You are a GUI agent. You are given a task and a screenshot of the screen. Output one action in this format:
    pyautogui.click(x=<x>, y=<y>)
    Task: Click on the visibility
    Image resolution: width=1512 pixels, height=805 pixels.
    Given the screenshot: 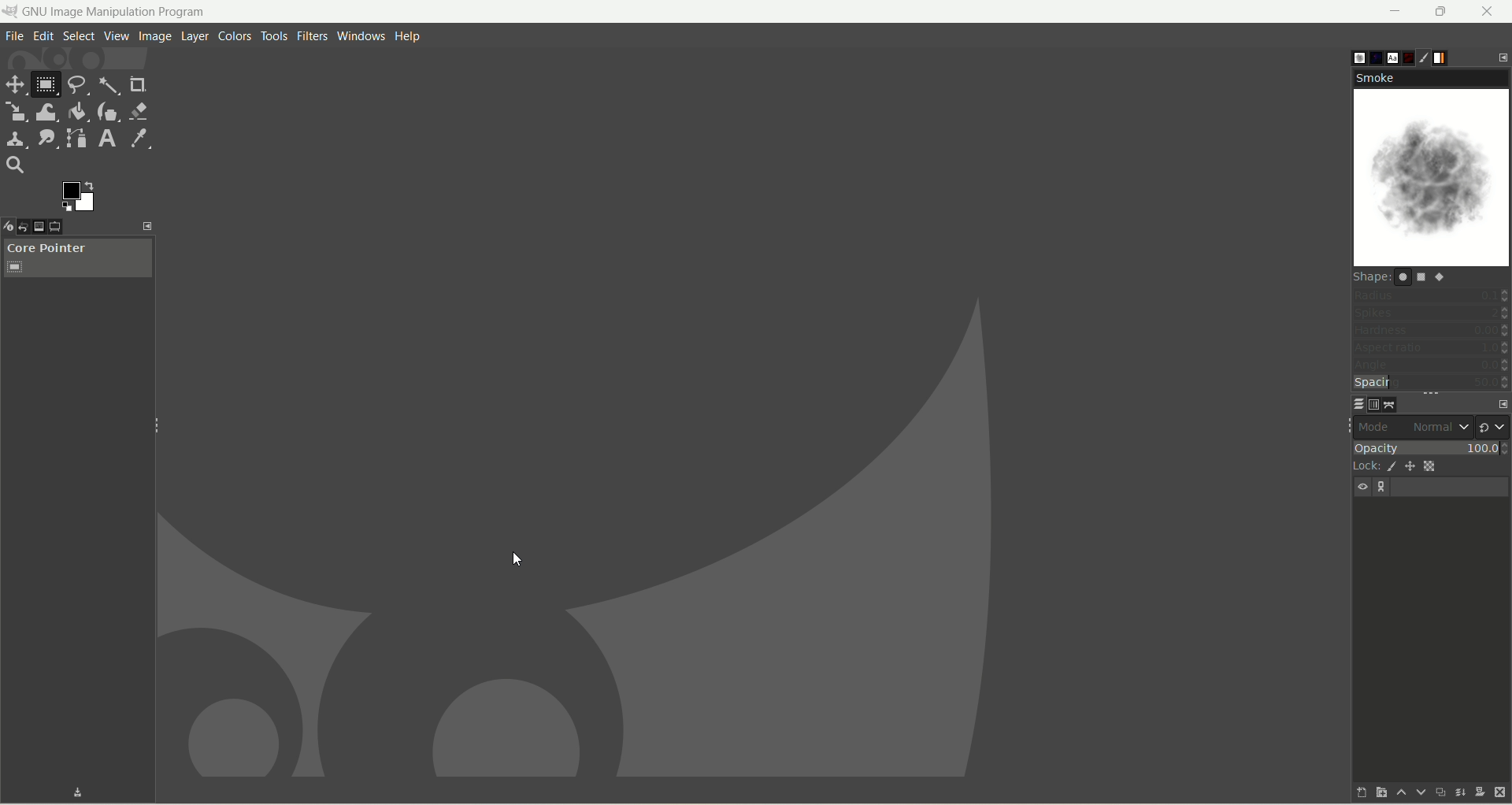 What is the action you would take?
    pyautogui.click(x=1364, y=487)
    